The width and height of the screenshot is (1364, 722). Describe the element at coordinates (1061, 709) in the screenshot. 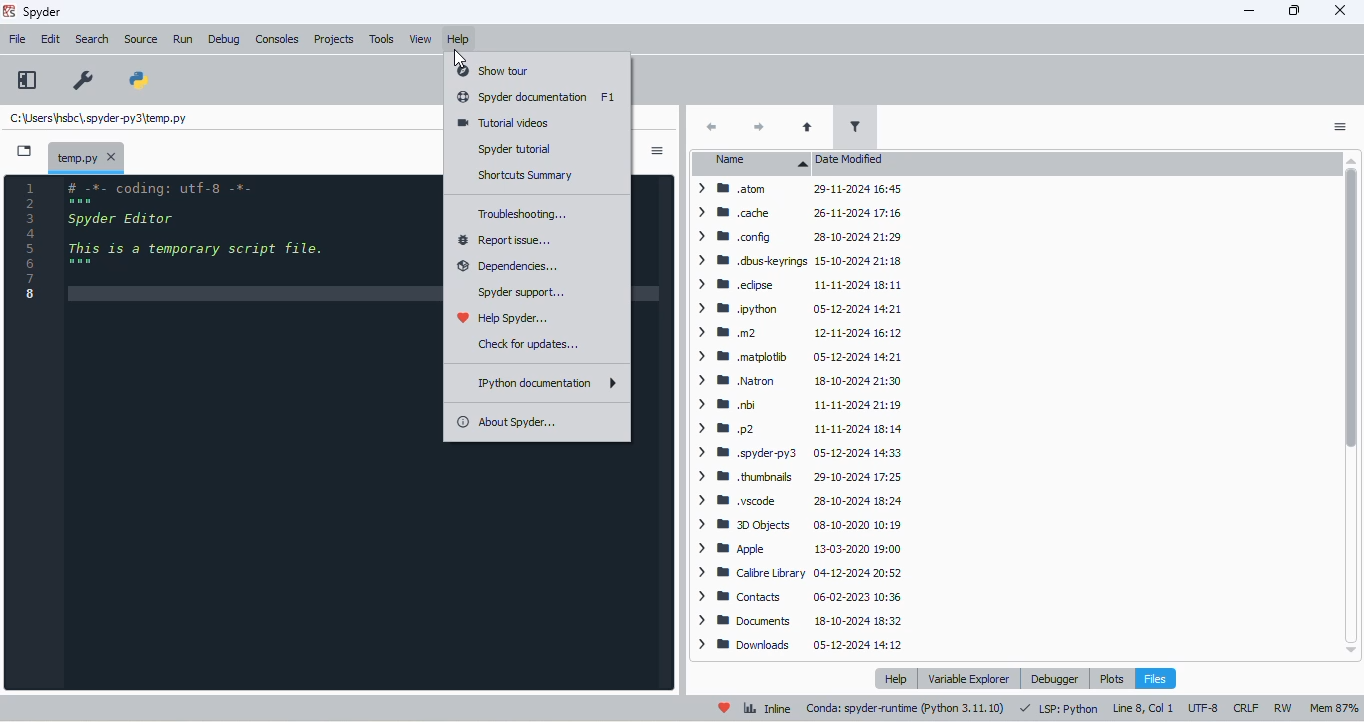

I see `LSP: Python` at that location.